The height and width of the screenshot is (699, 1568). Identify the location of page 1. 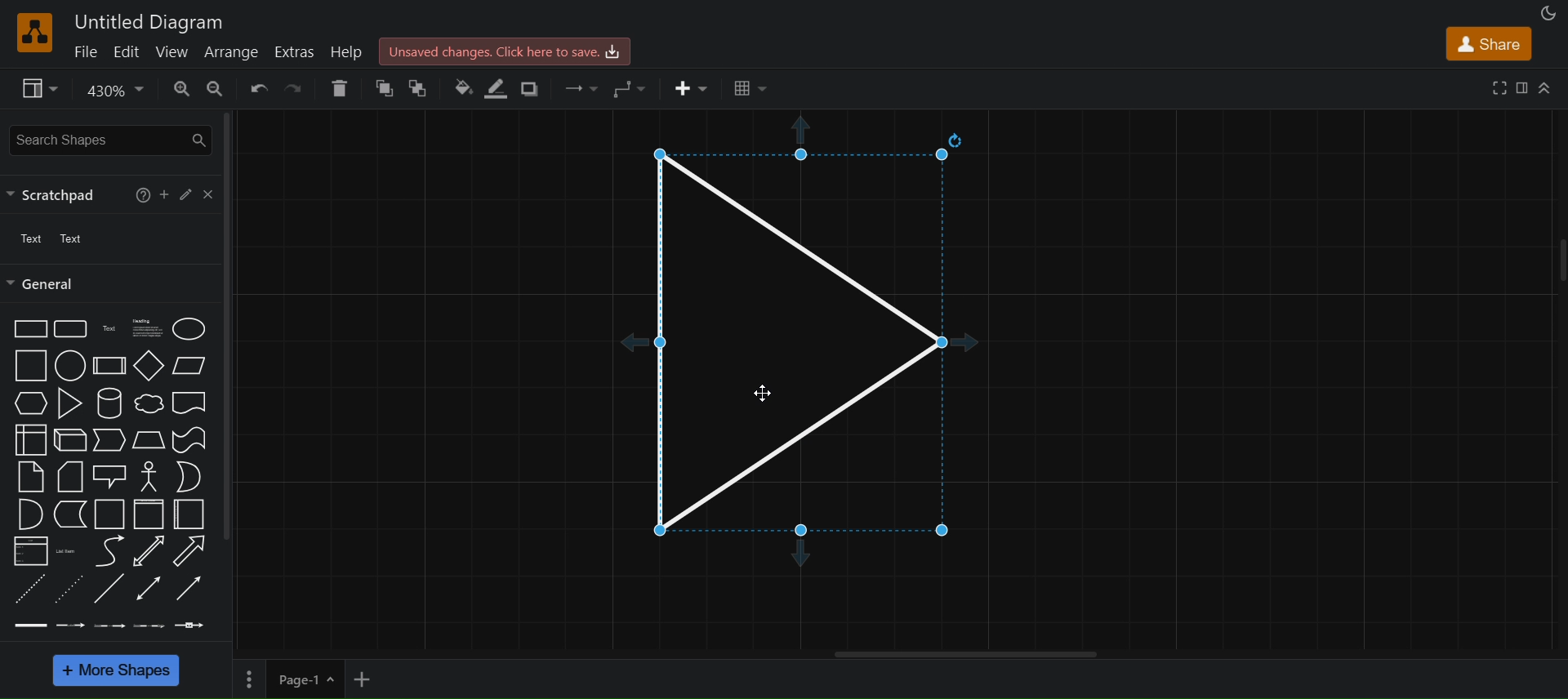
(310, 678).